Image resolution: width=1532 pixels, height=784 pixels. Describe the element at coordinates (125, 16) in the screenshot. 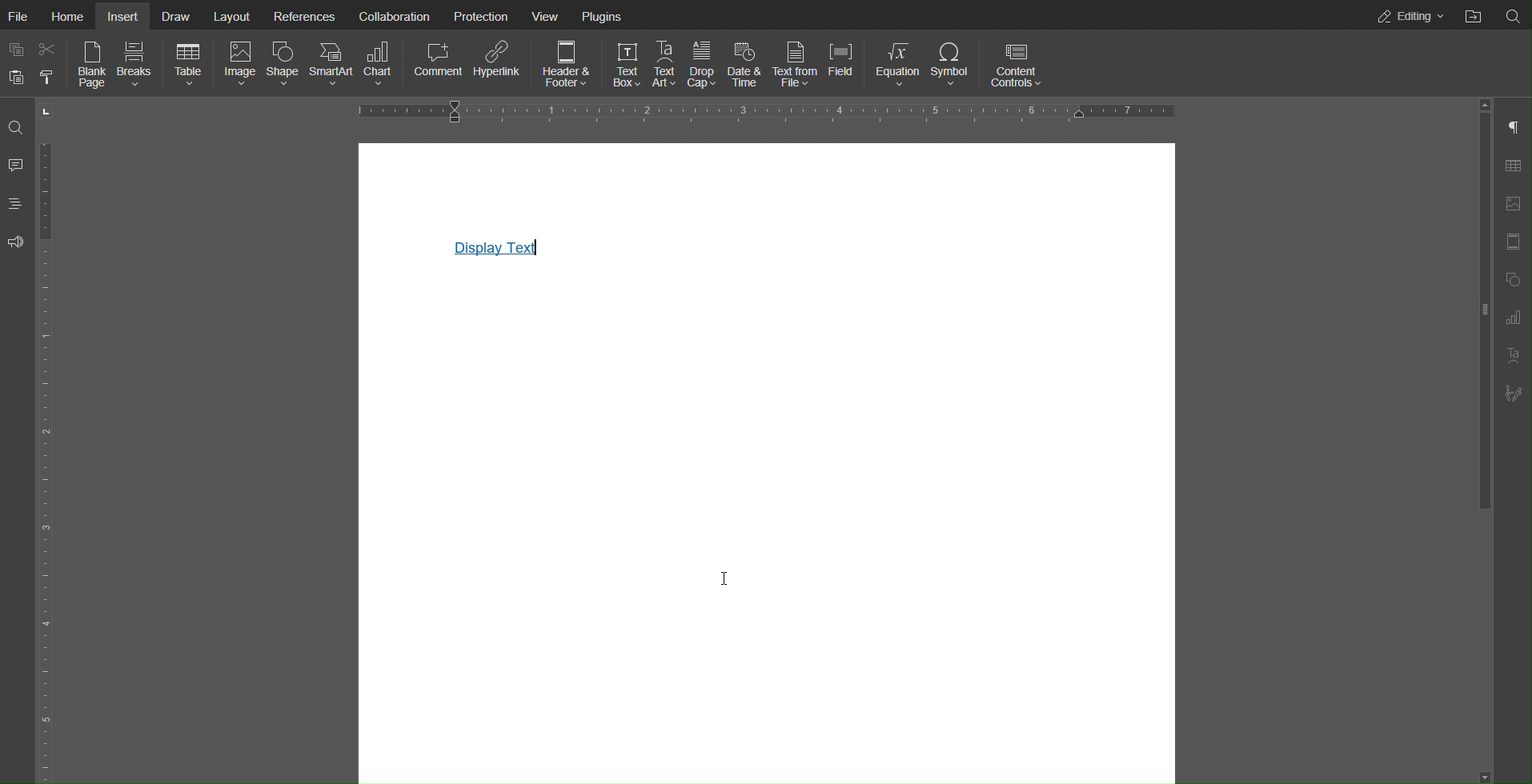

I see `Insert` at that location.